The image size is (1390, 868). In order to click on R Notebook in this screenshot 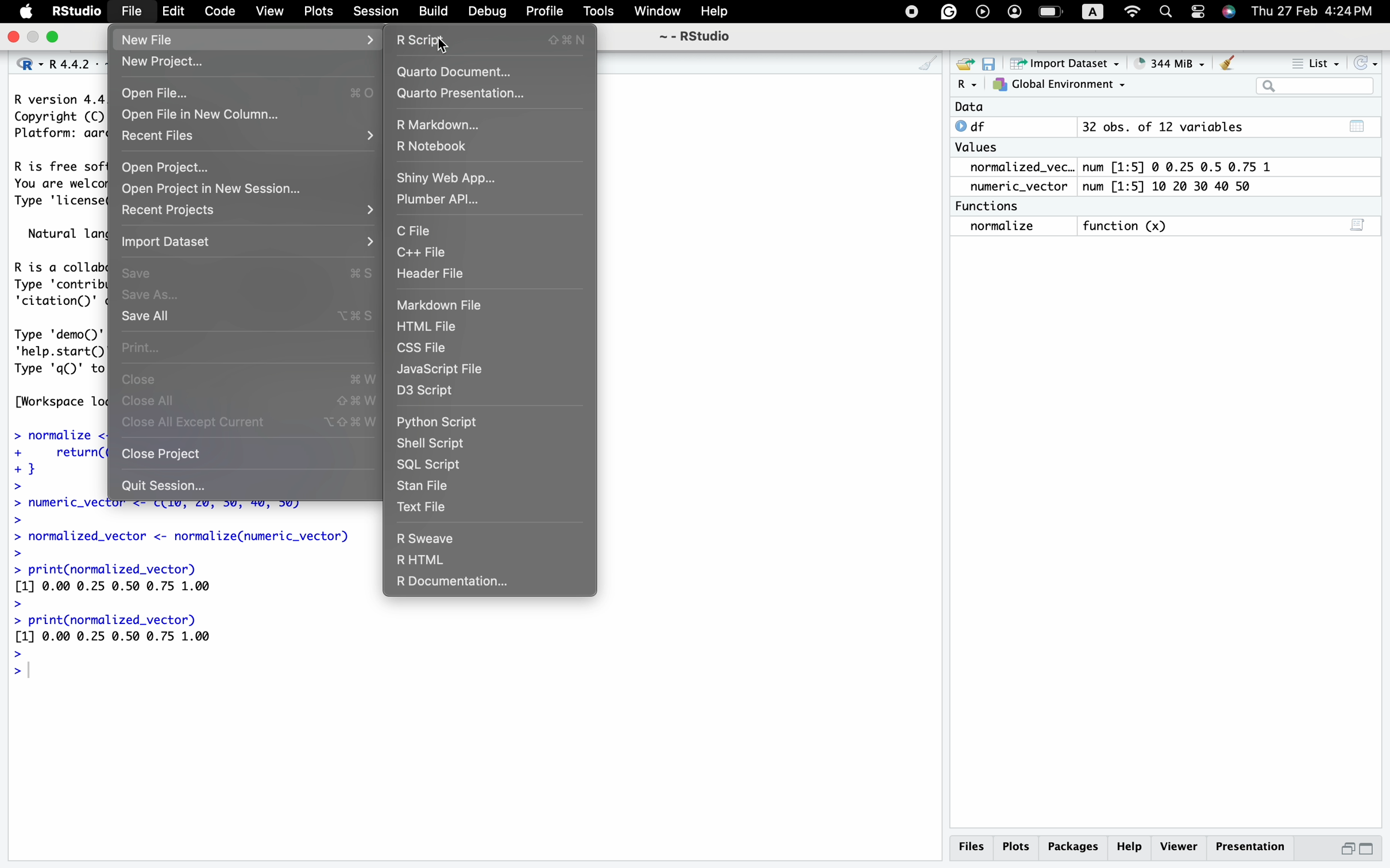, I will do `click(431, 148)`.